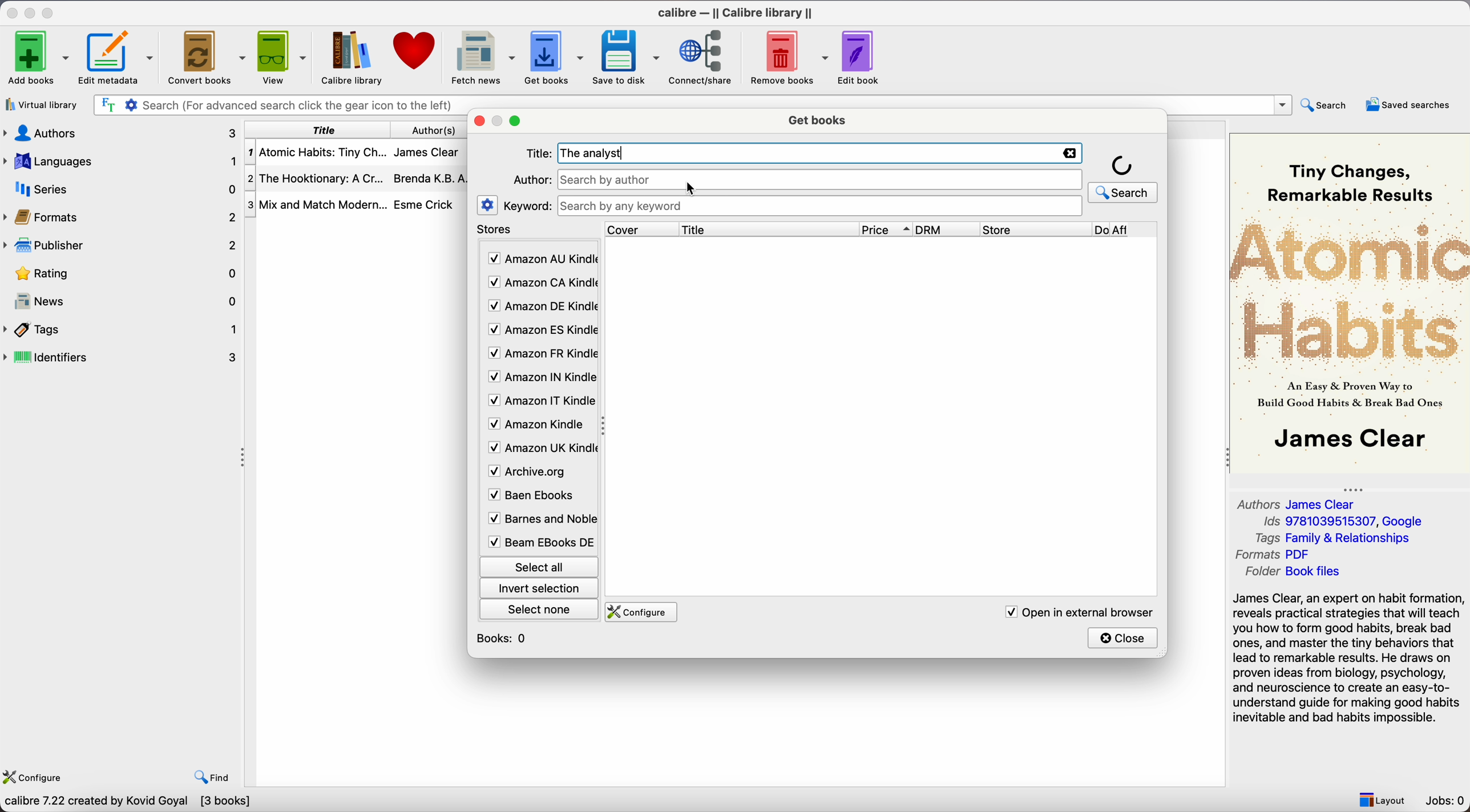 The image size is (1470, 812). What do you see at coordinates (541, 332) in the screenshot?
I see `Amazon ES Kindle` at bounding box center [541, 332].